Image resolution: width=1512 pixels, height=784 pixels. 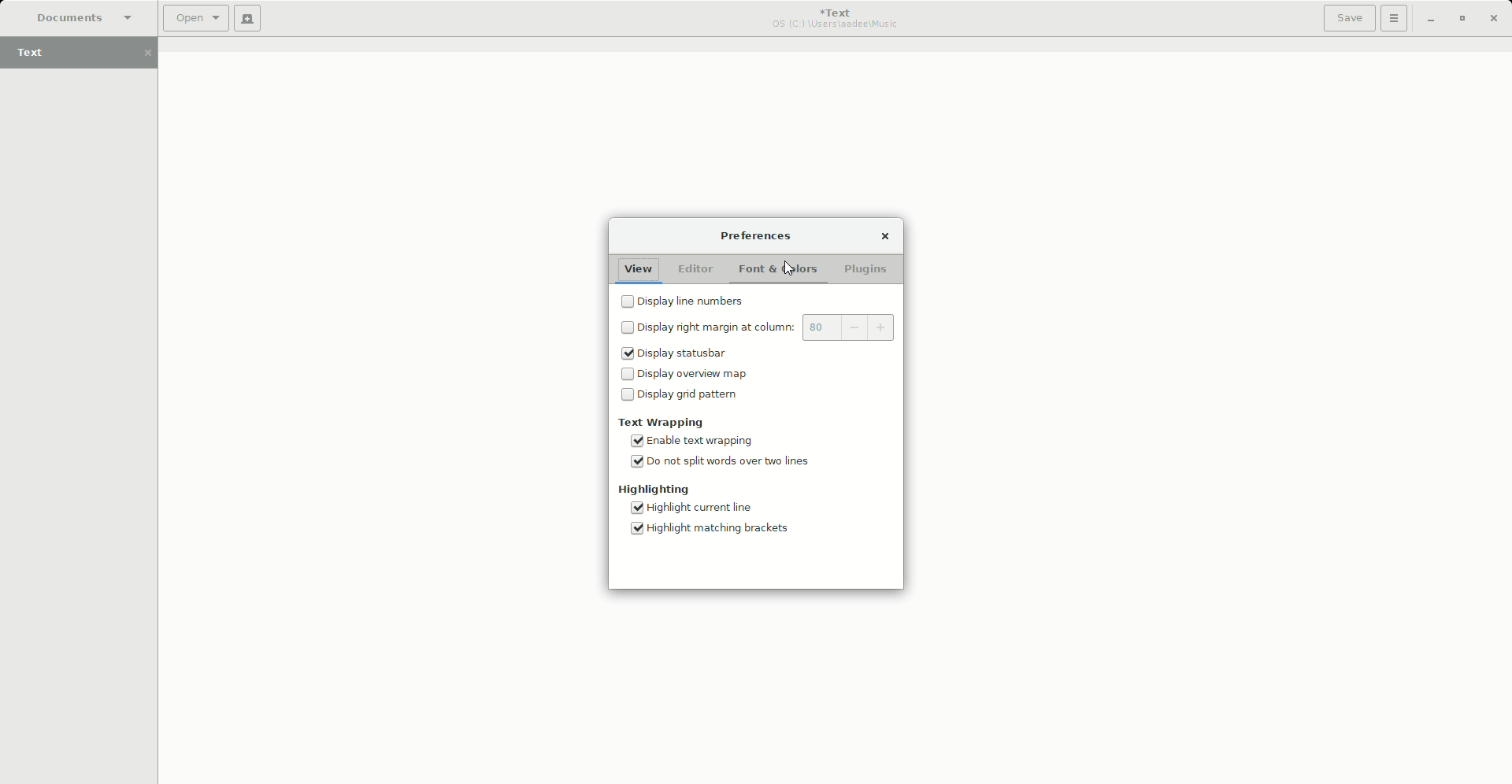 I want to click on Highlight current line, so click(x=709, y=506).